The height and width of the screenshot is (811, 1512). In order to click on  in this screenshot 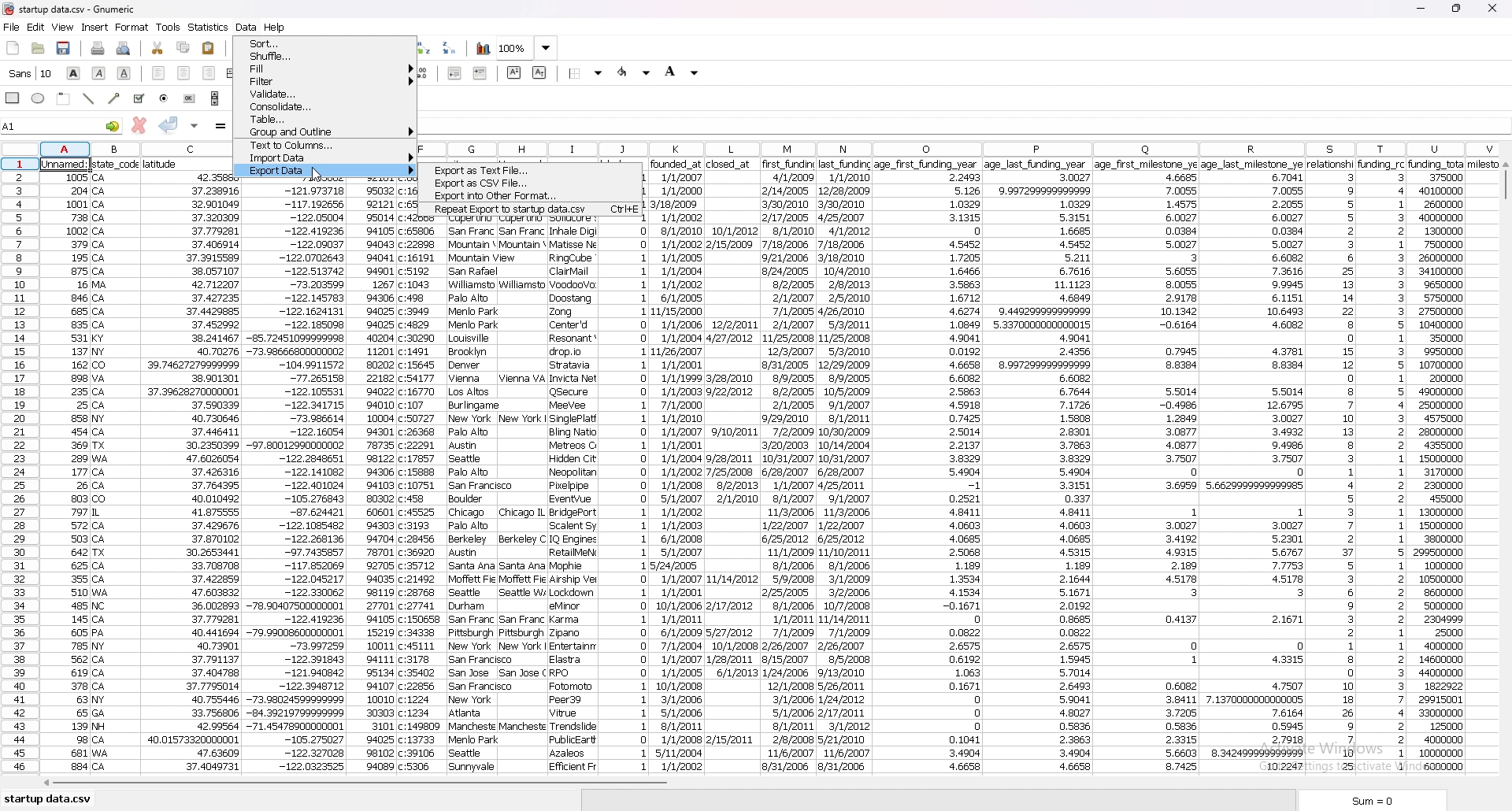, I will do `click(117, 466)`.